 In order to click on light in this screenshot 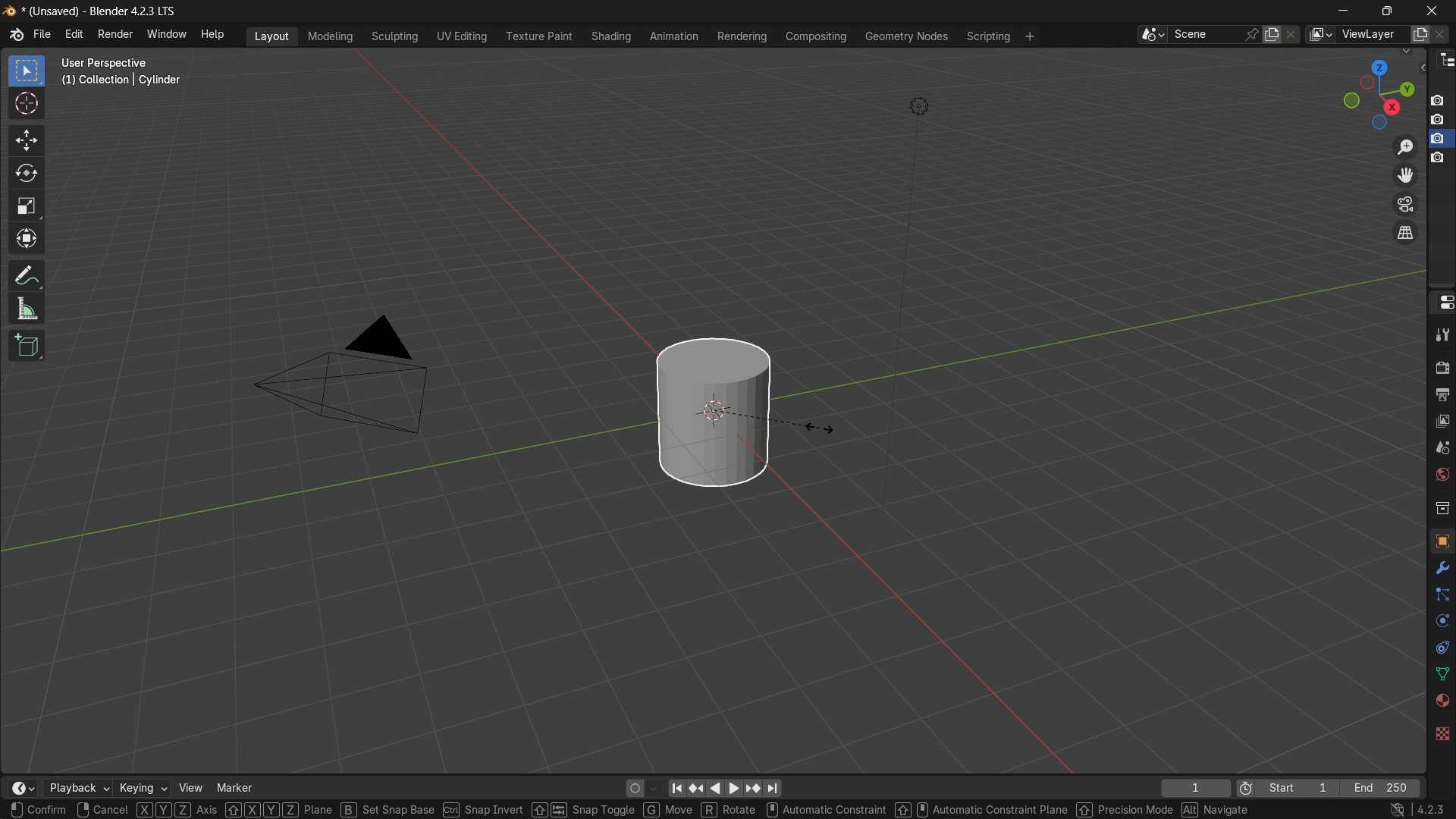, I will do `click(921, 107)`.